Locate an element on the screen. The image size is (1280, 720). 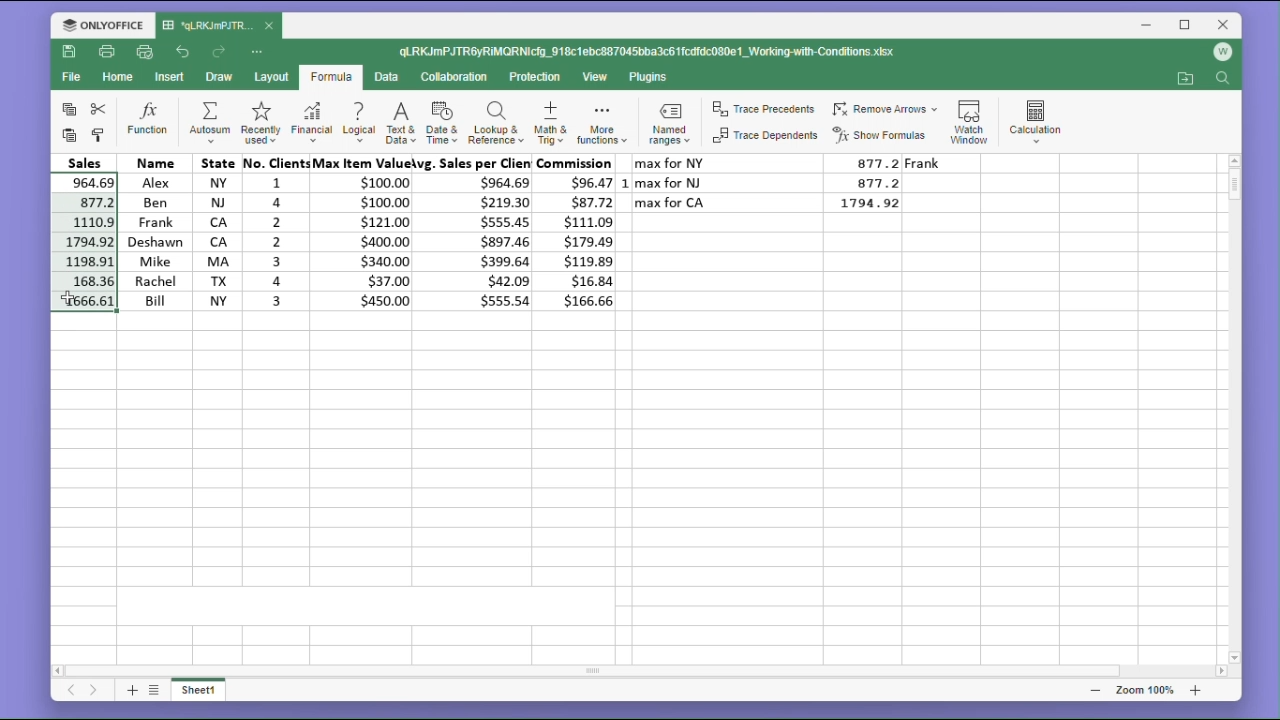
cursor is located at coordinates (71, 298).